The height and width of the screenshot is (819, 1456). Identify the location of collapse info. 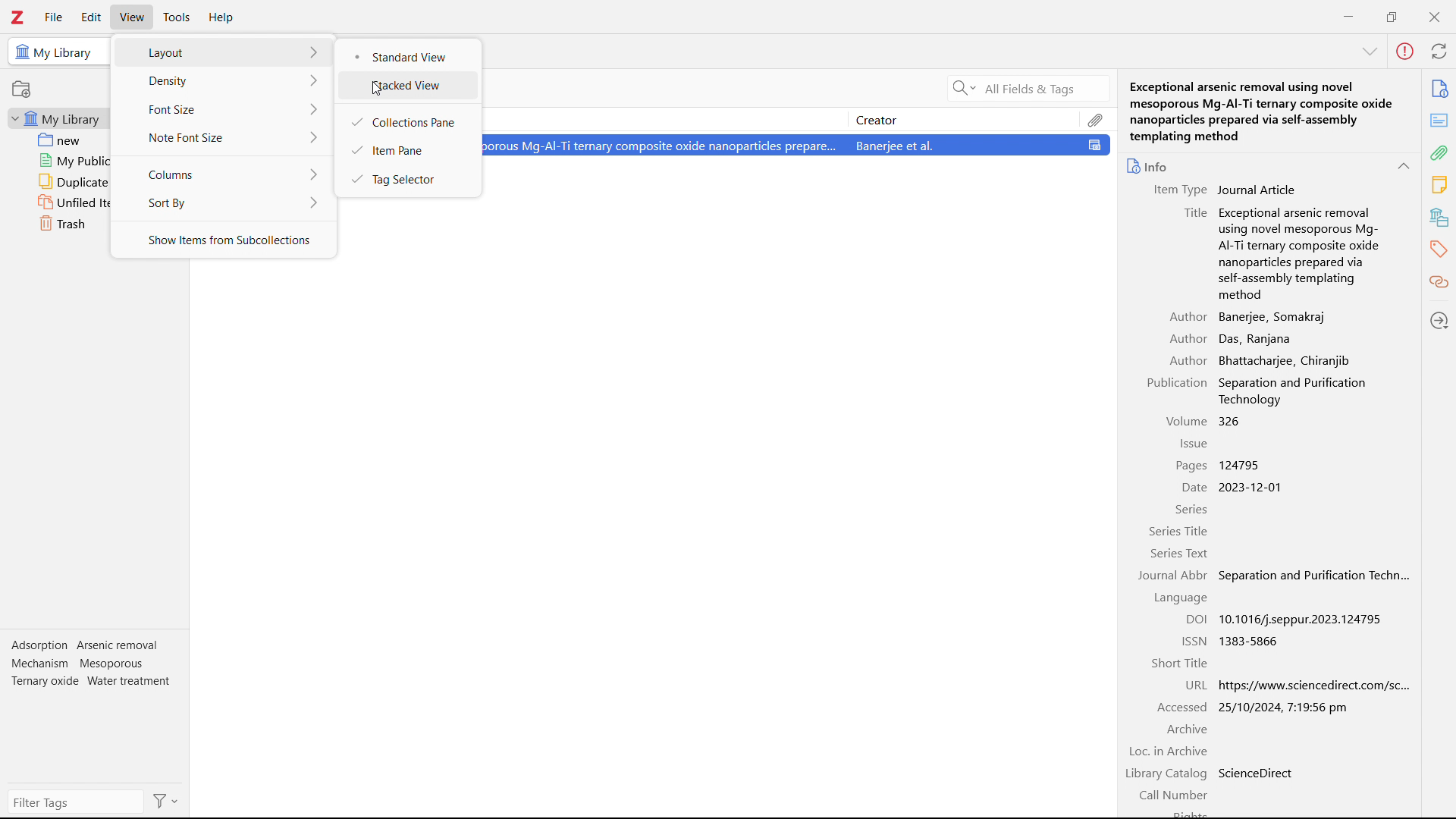
(1372, 52).